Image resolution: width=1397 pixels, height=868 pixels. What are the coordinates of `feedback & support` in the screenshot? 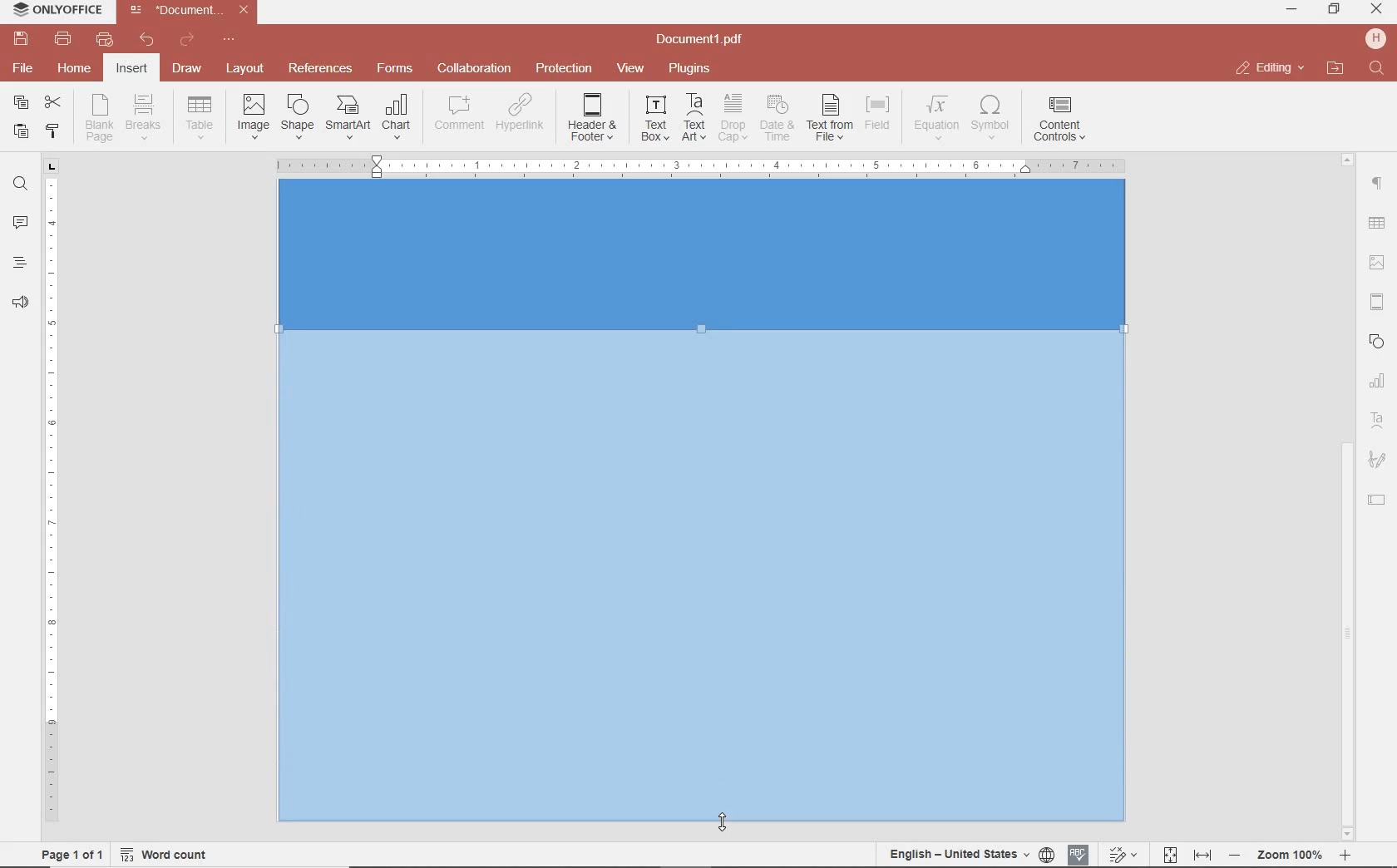 It's located at (21, 303).